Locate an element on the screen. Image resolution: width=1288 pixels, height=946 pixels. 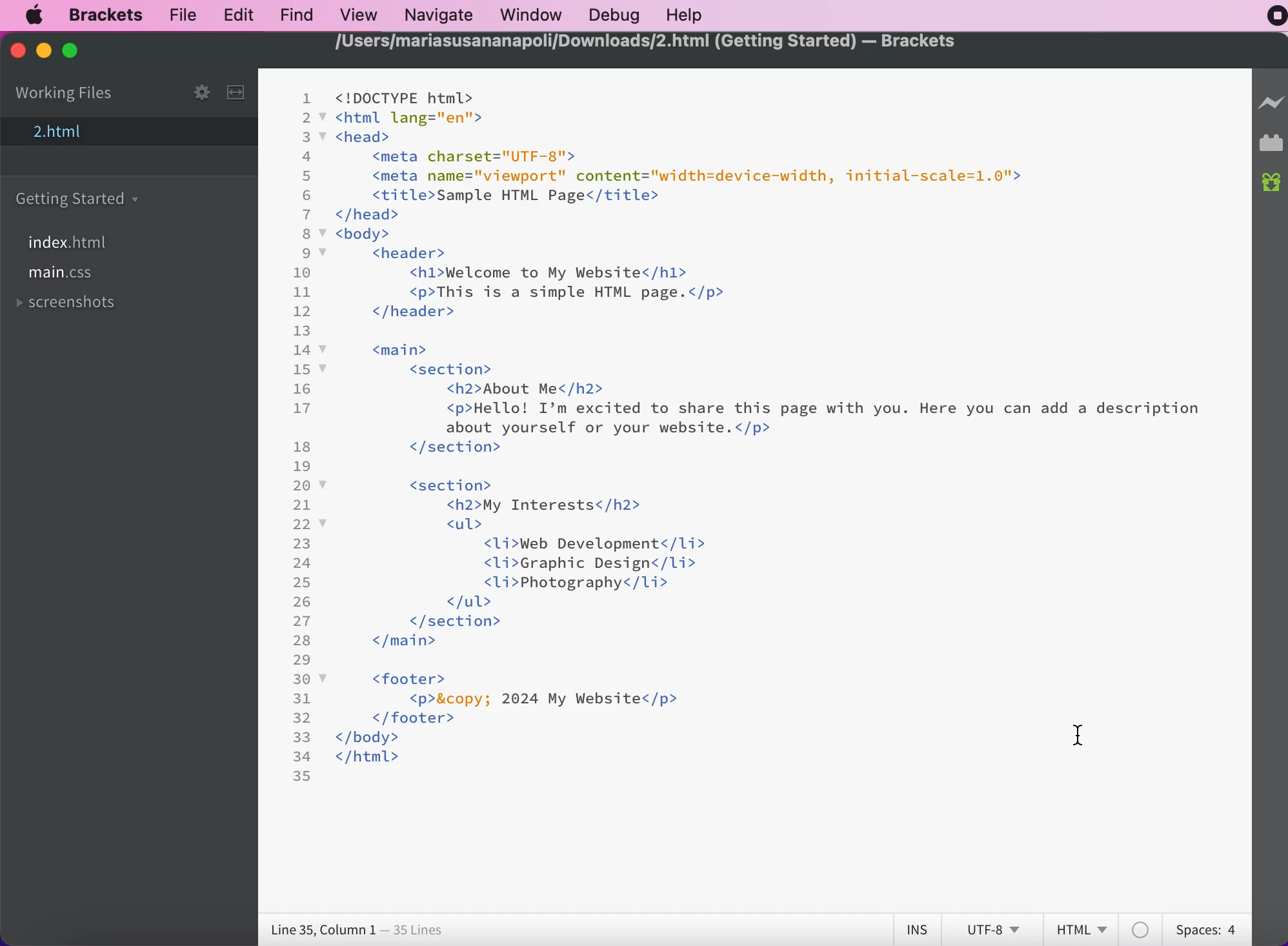
29 is located at coordinates (302, 660).